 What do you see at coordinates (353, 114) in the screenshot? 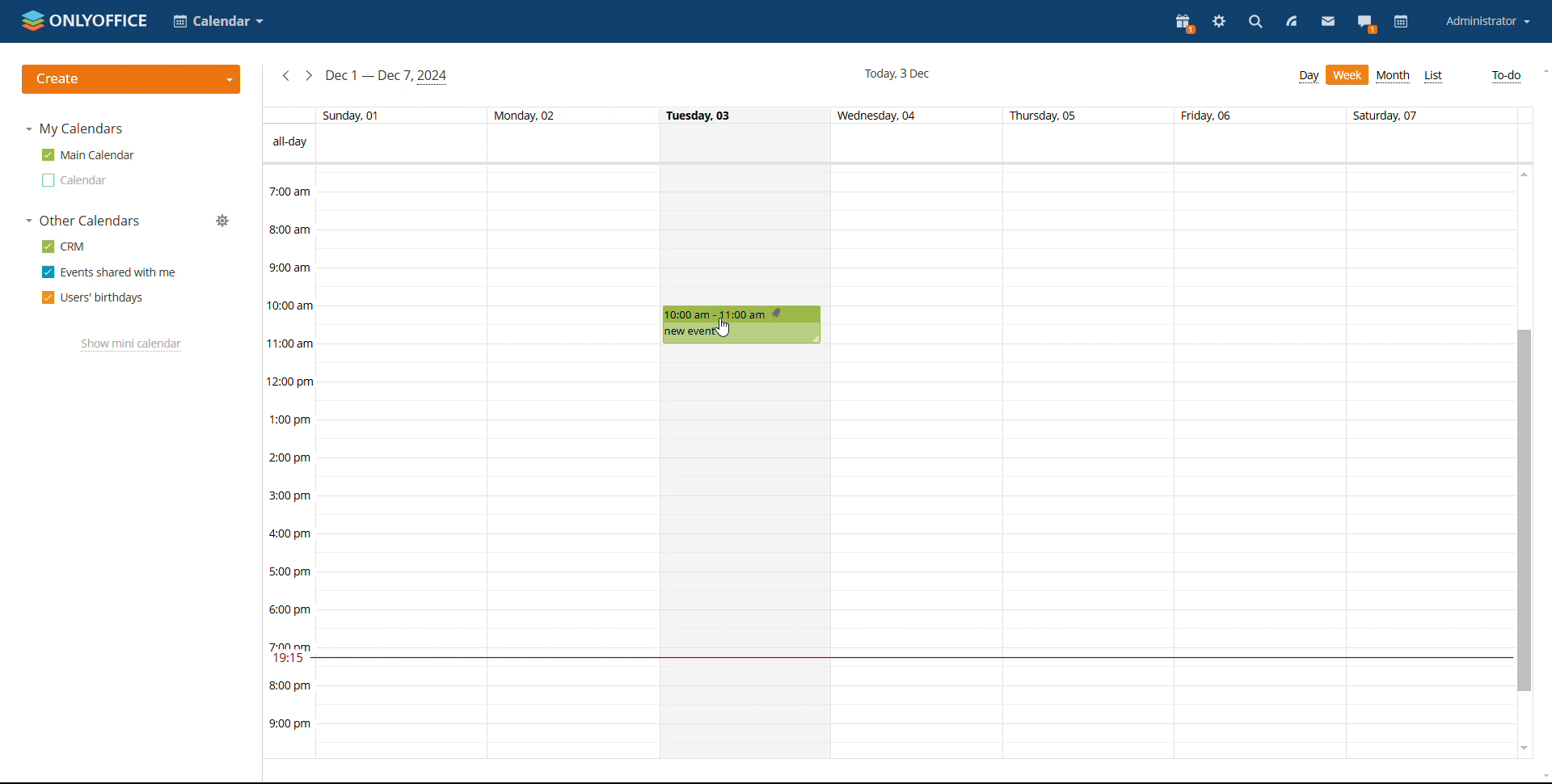
I see `Sunday, 01` at bounding box center [353, 114].